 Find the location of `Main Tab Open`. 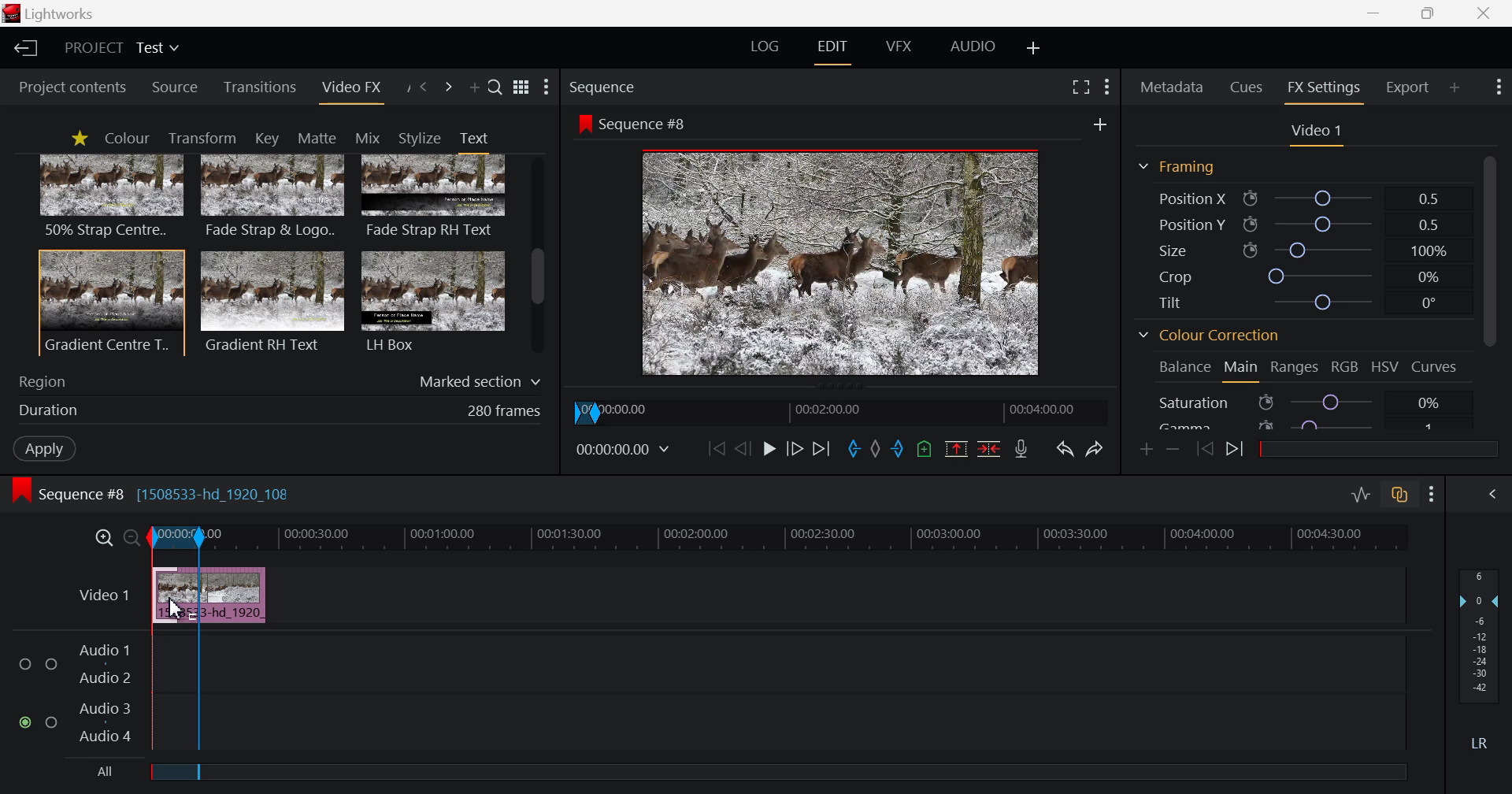

Main Tab Open is located at coordinates (1242, 369).